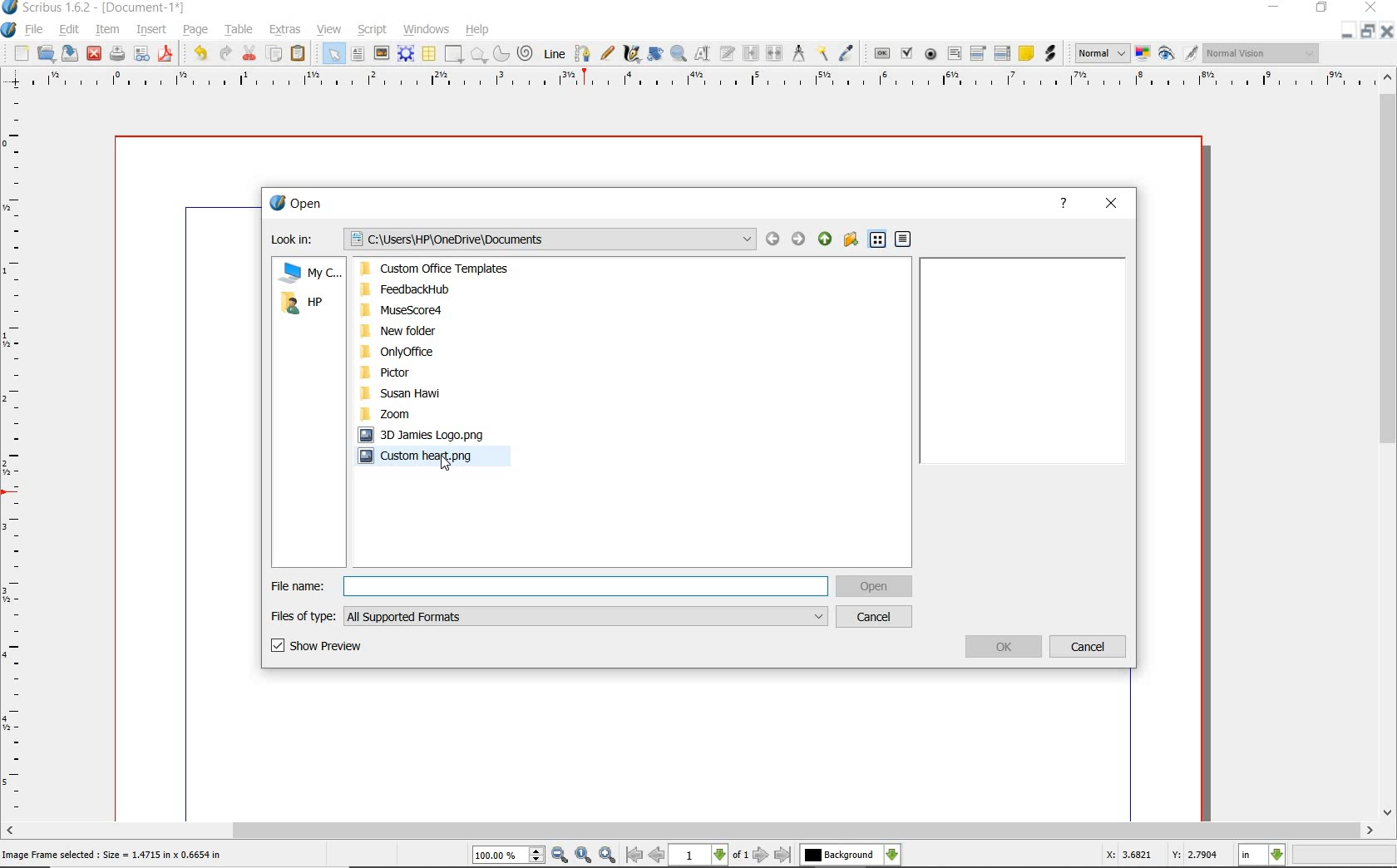  Describe the element at coordinates (582, 53) in the screenshot. I see `bezier curve` at that location.